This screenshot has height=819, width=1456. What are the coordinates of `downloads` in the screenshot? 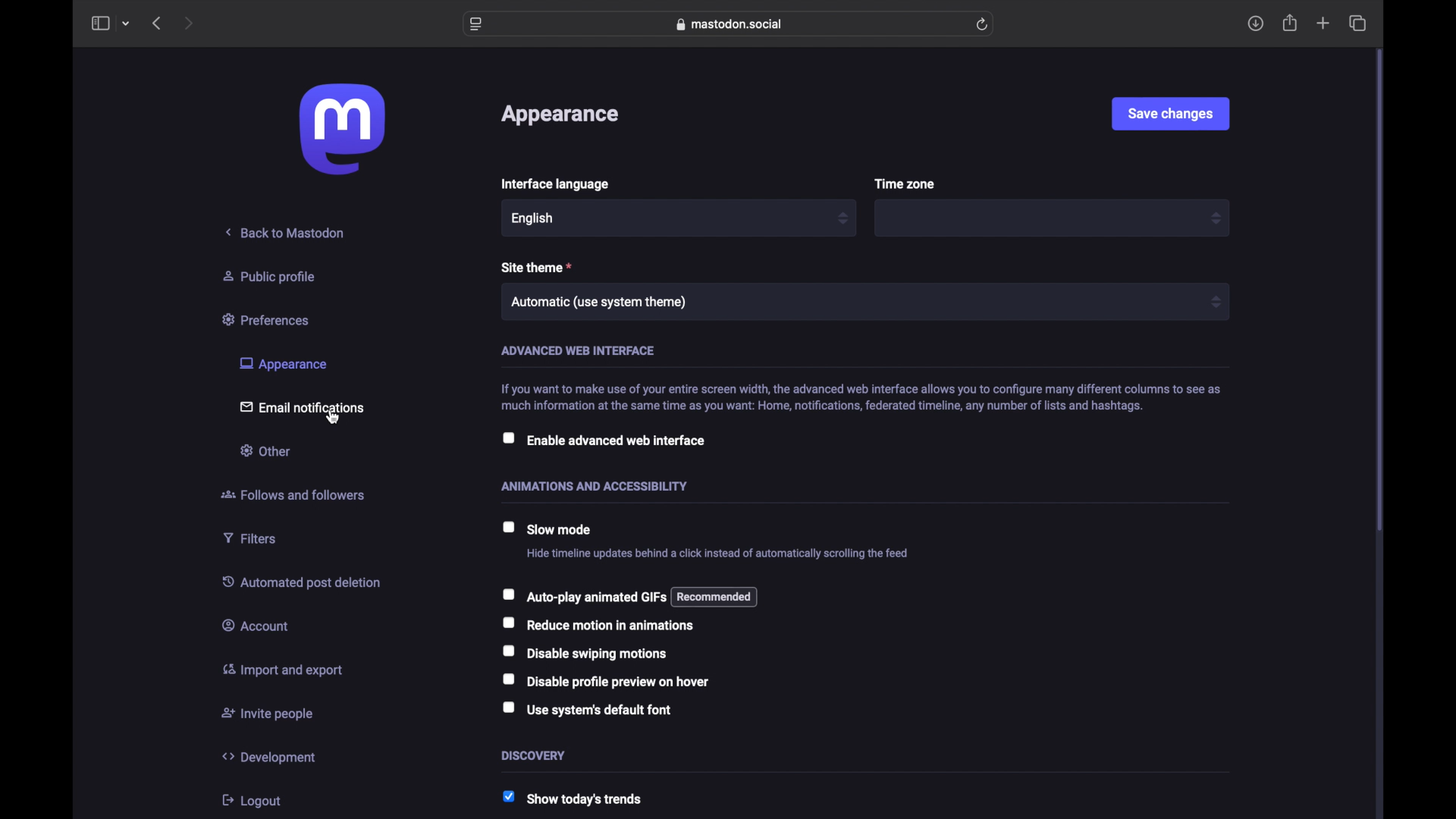 It's located at (1255, 24).